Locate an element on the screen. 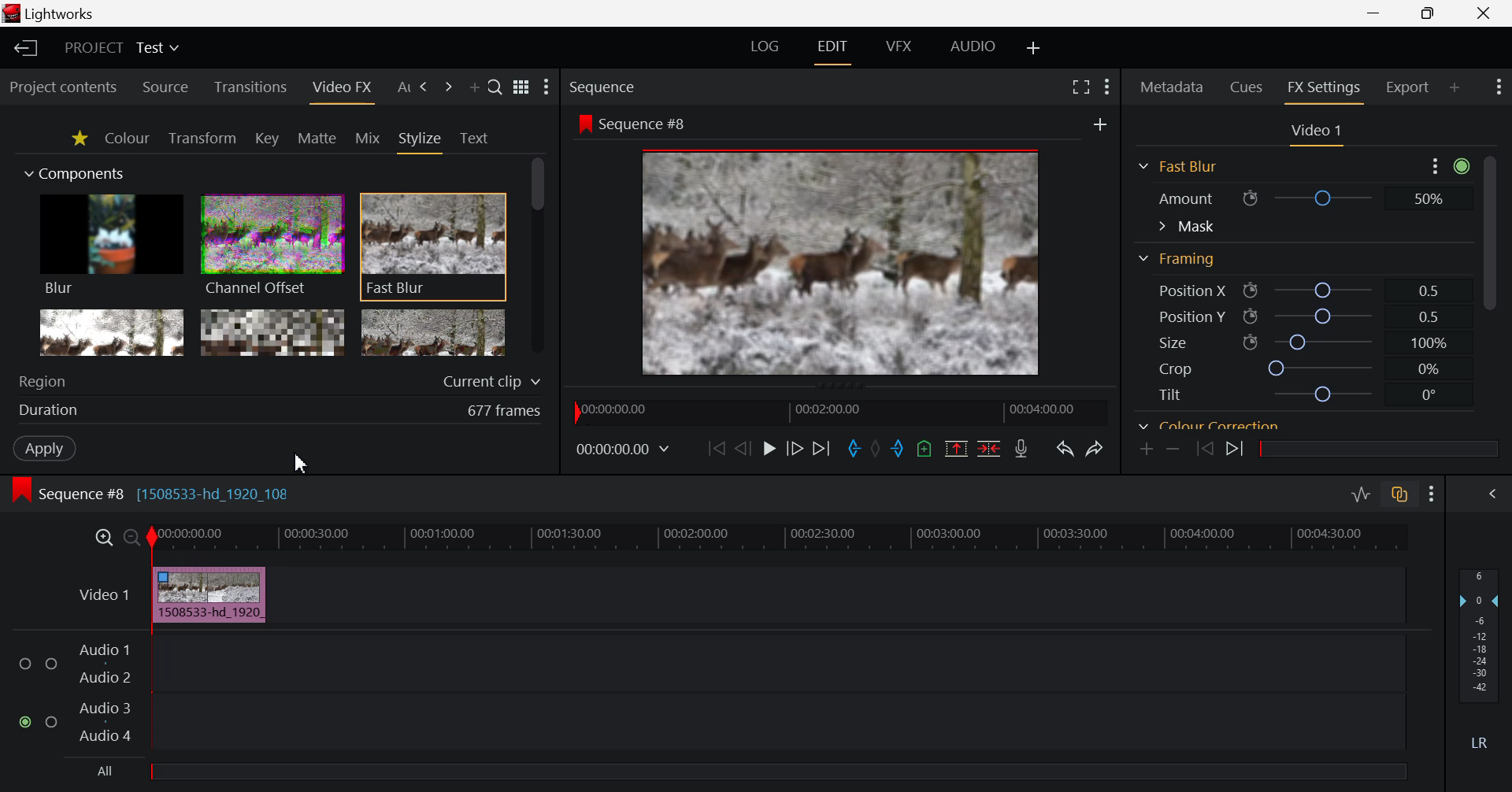 This screenshot has height=792, width=1512. Region is located at coordinates (282, 378).